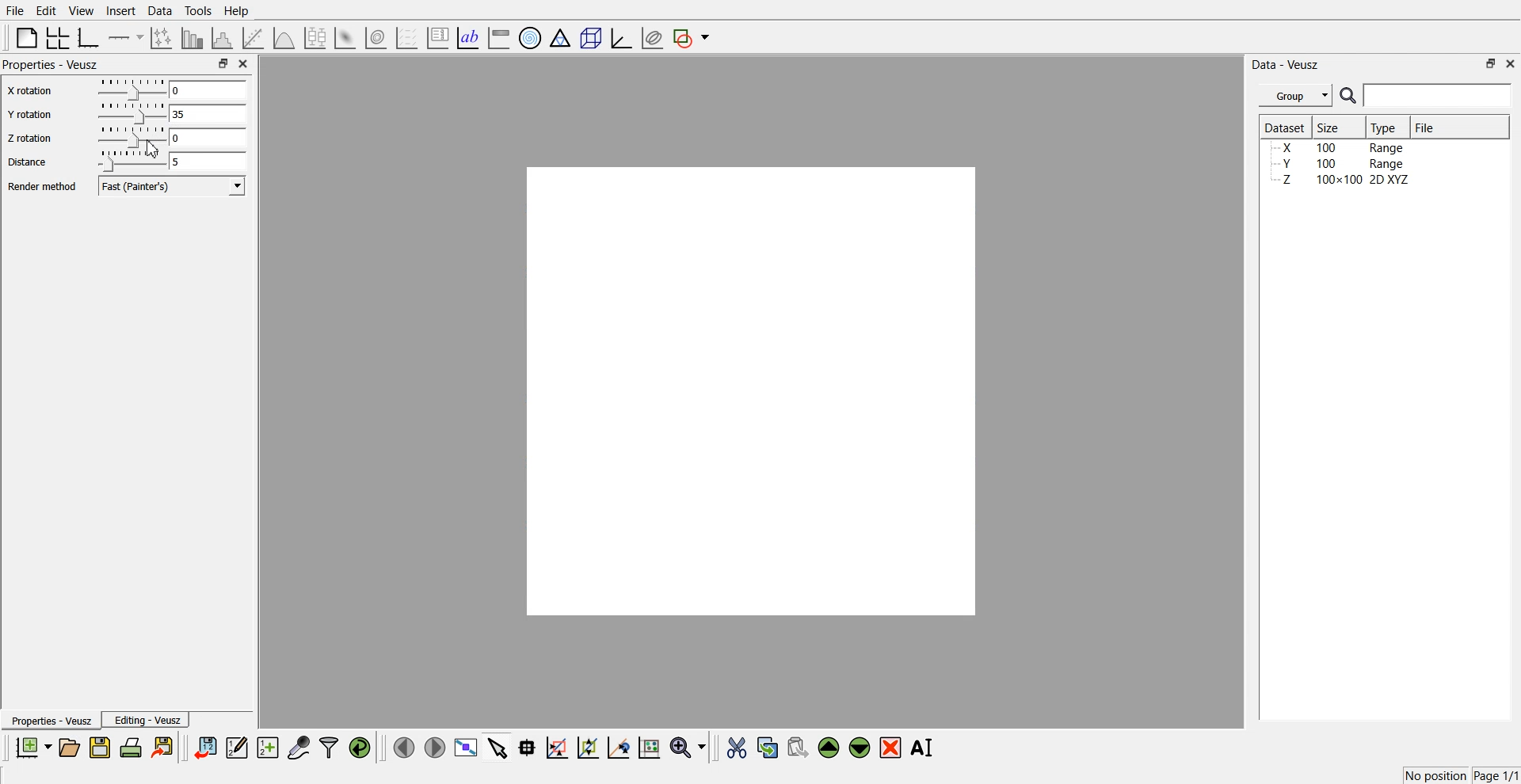 This screenshot has height=784, width=1521. I want to click on Open the document, so click(68, 748).